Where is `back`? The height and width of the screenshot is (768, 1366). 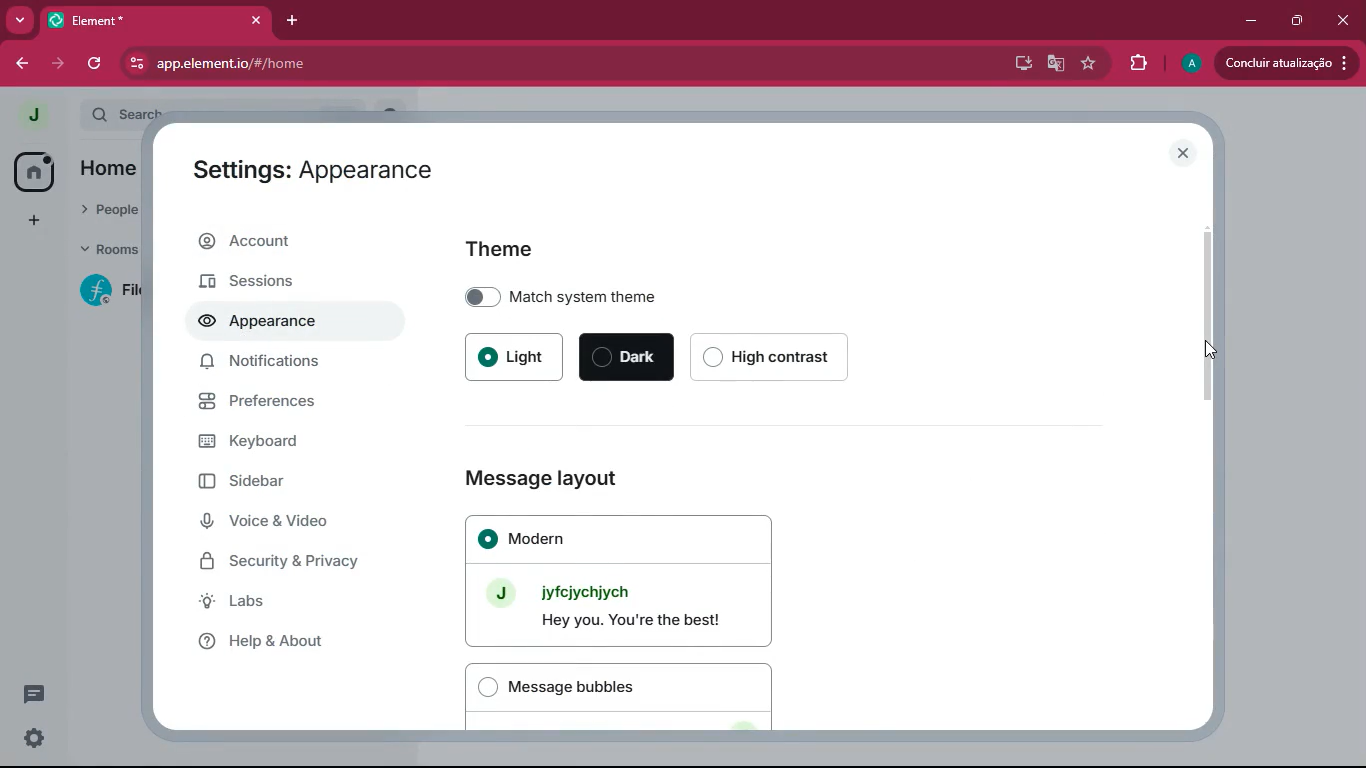
back is located at coordinates (20, 61).